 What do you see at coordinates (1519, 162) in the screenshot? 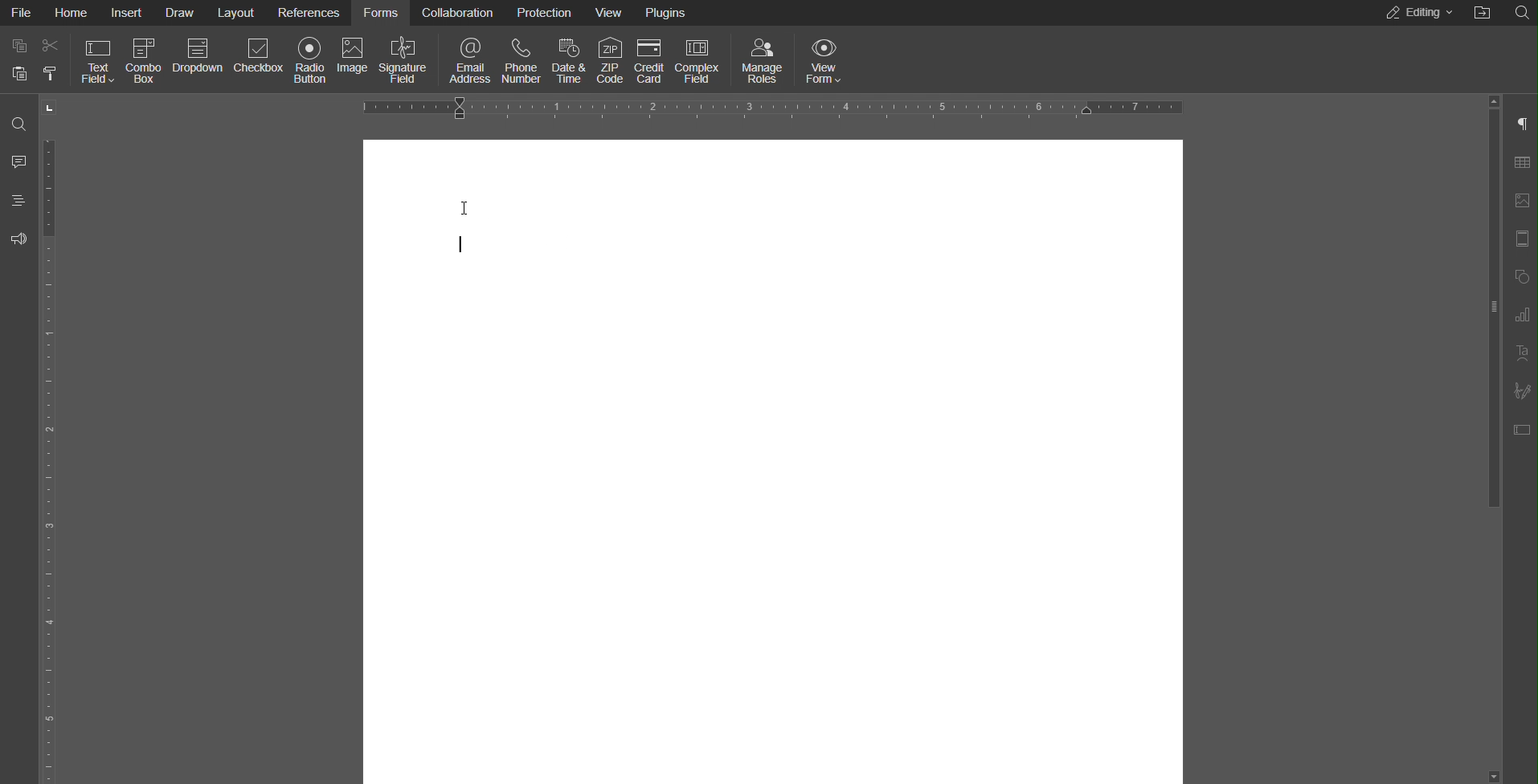
I see `Table Settings` at bounding box center [1519, 162].